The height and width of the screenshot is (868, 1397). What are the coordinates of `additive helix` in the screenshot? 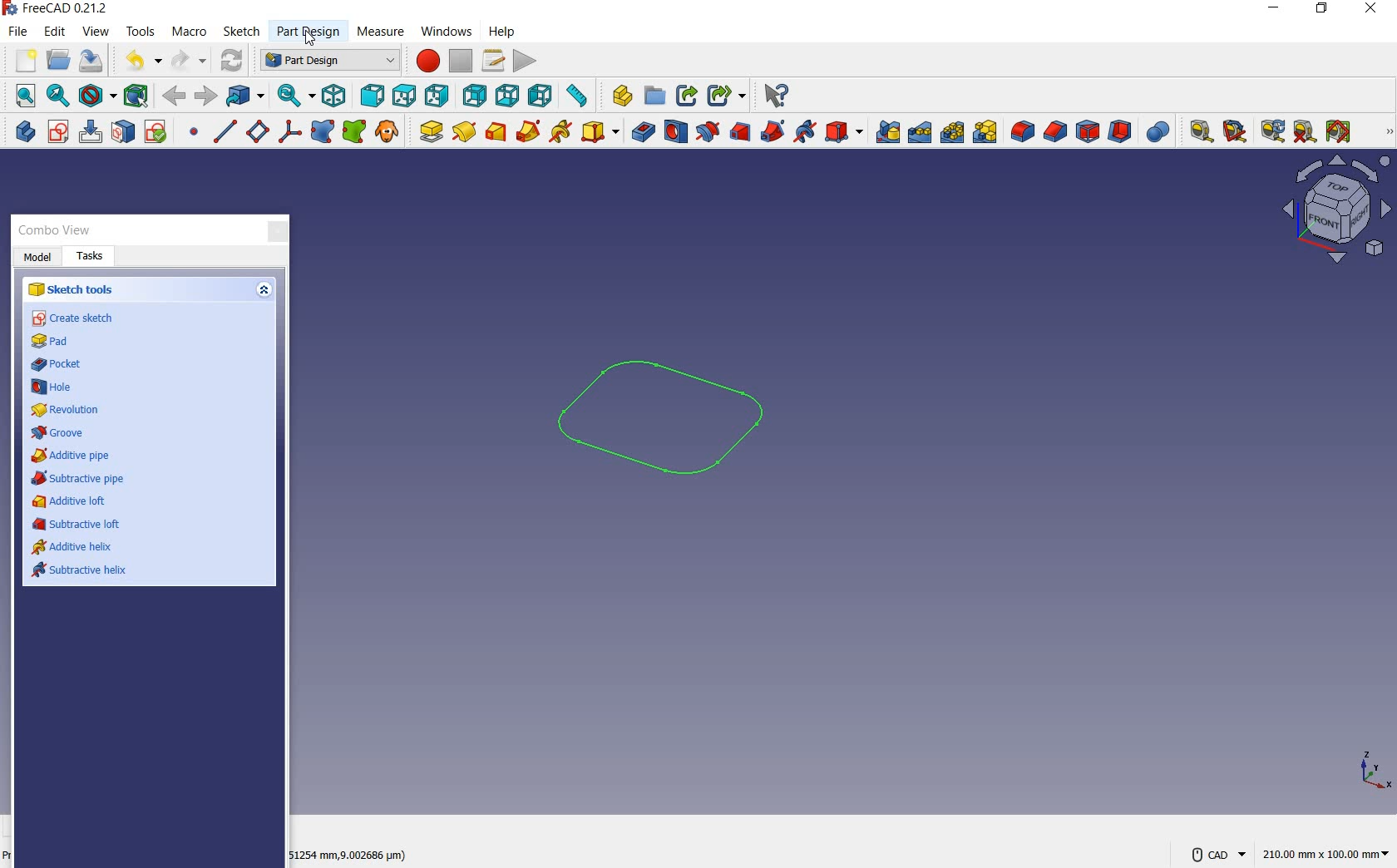 It's located at (560, 131).